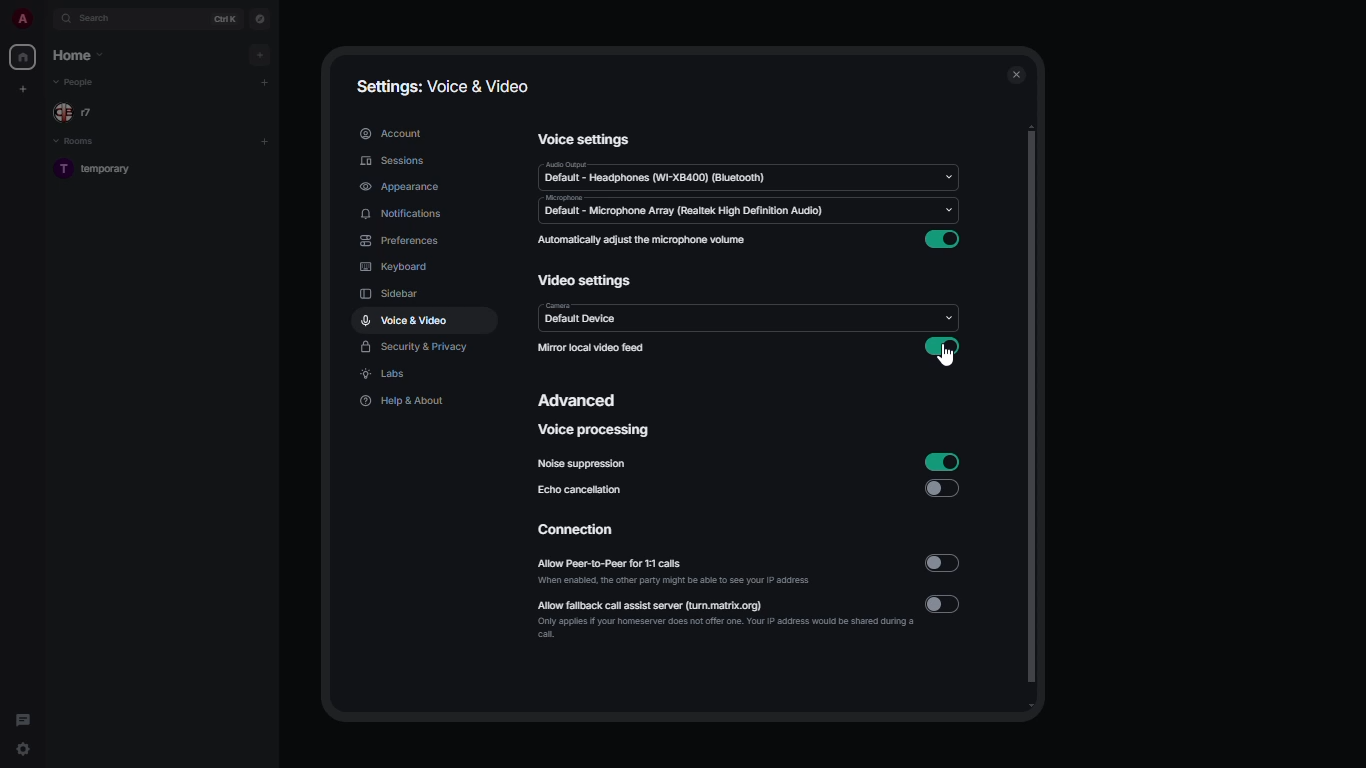 This screenshot has width=1366, height=768. Describe the element at coordinates (946, 357) in the screenshot. I see `cursor` at that location.